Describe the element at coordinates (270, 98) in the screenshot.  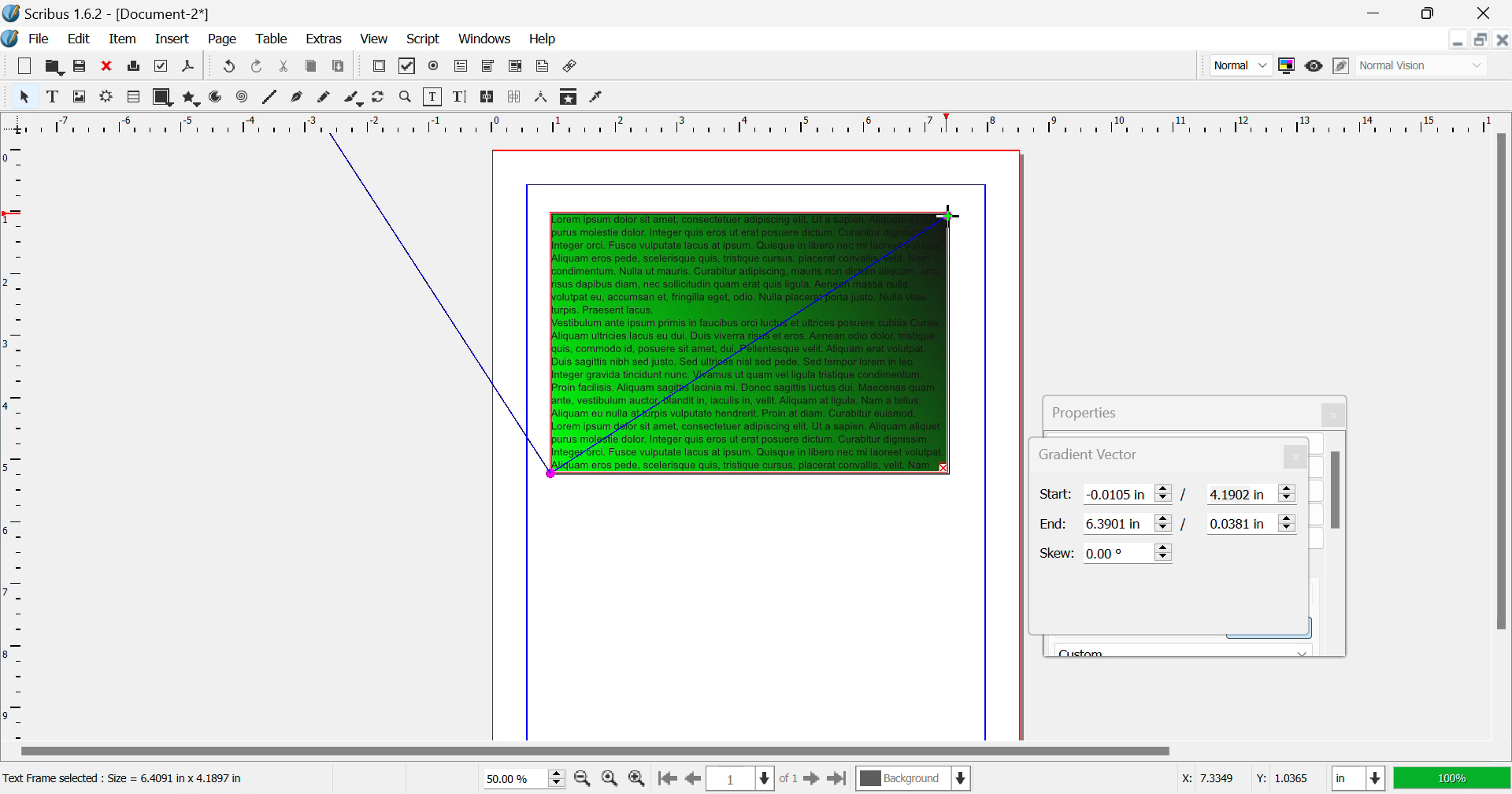
I see `Line` at that location.